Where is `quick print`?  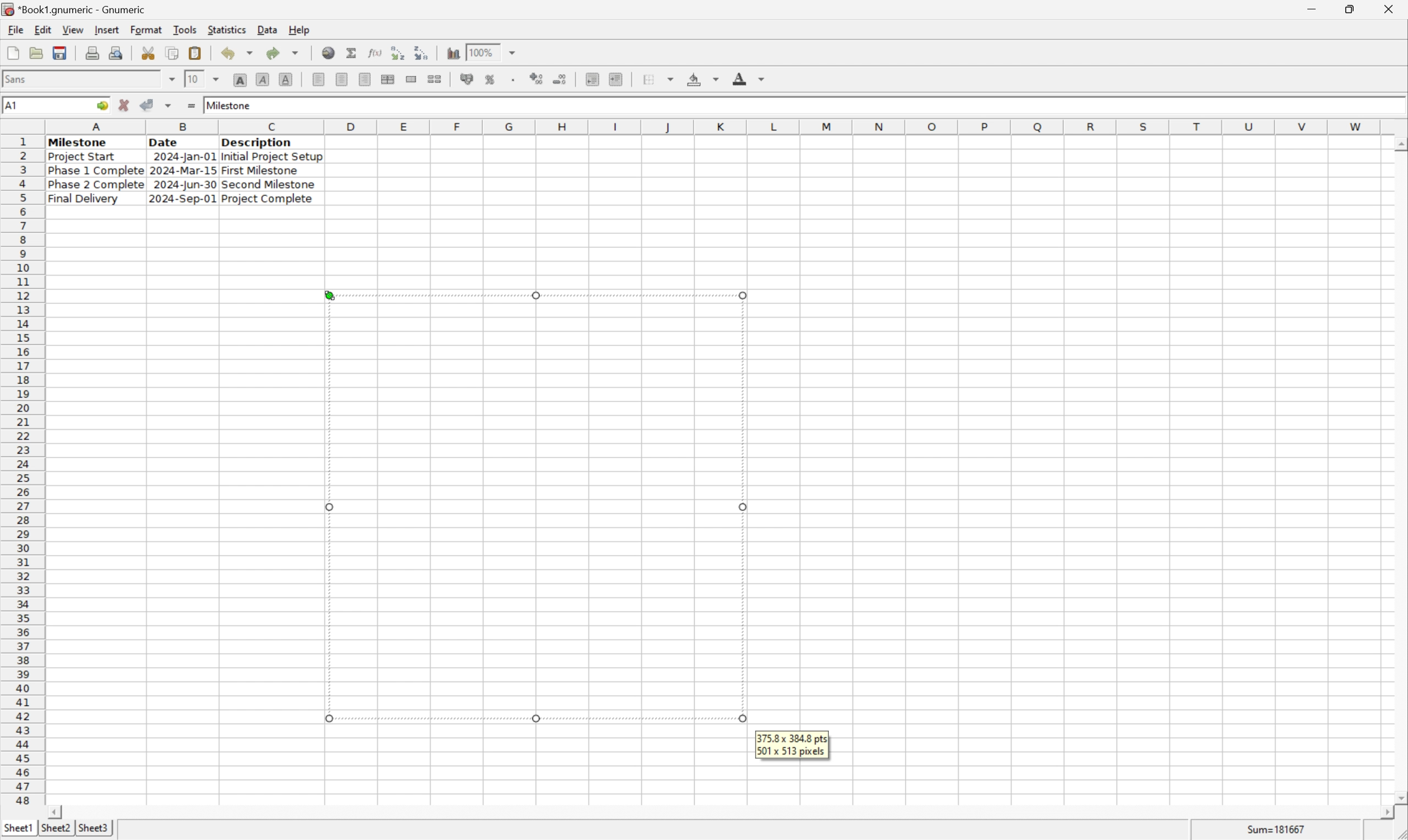
quick print is located at coordinates (117, 53).